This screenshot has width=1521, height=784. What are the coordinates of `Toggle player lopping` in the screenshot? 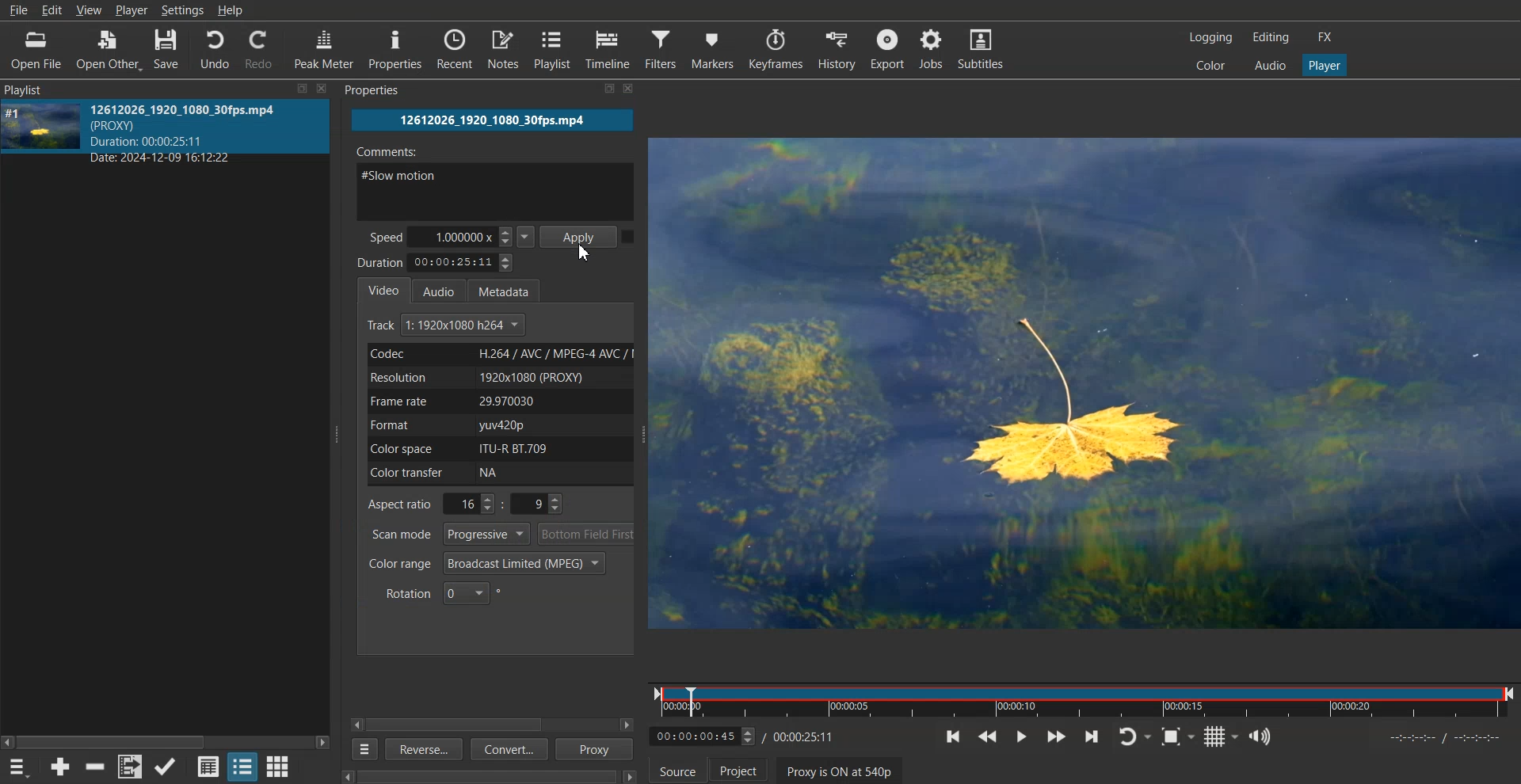 It's located at (1134, 736).